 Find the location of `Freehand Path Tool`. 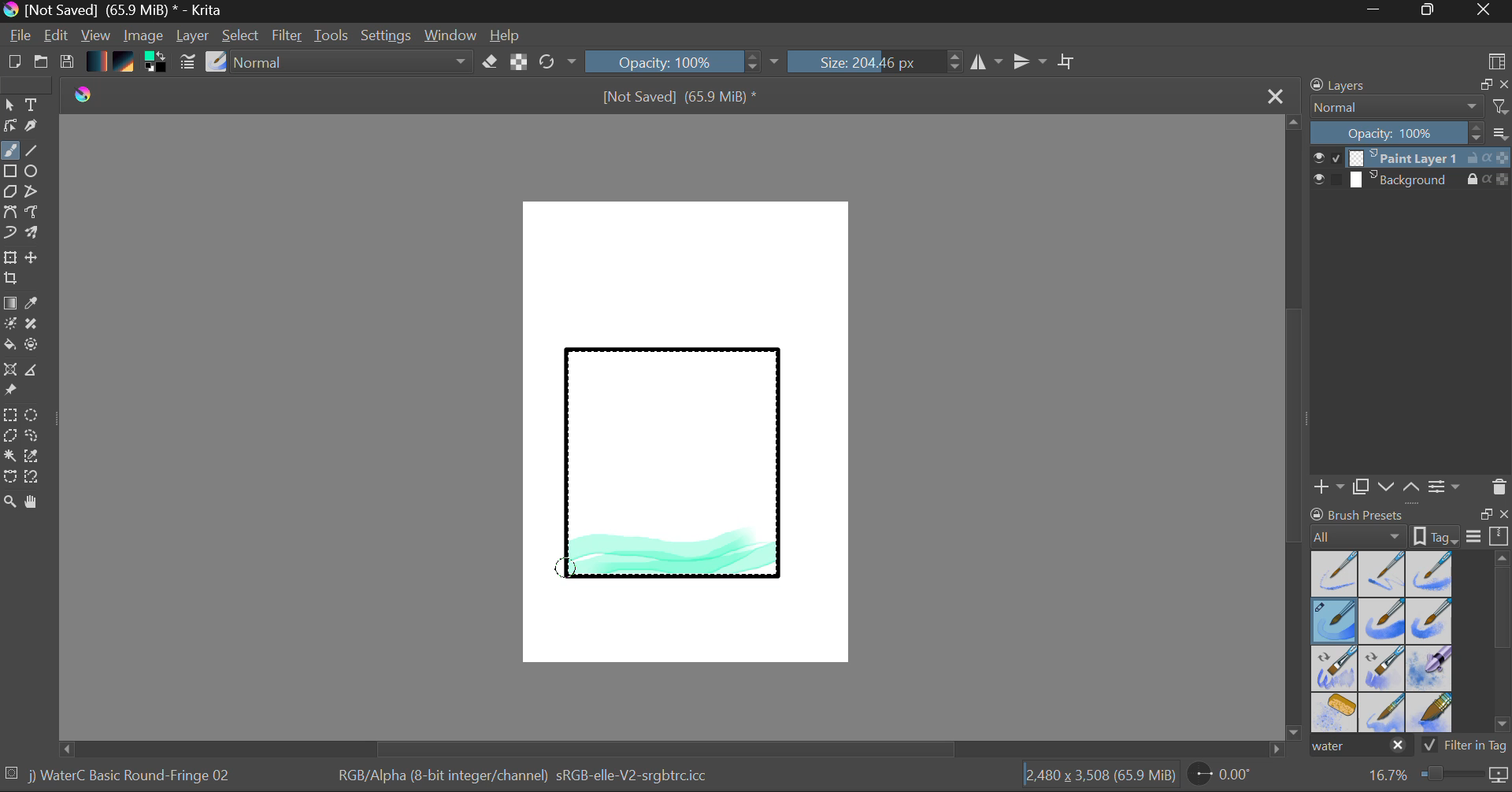

Freehand Path Tool is located at coordinates (31, 213).